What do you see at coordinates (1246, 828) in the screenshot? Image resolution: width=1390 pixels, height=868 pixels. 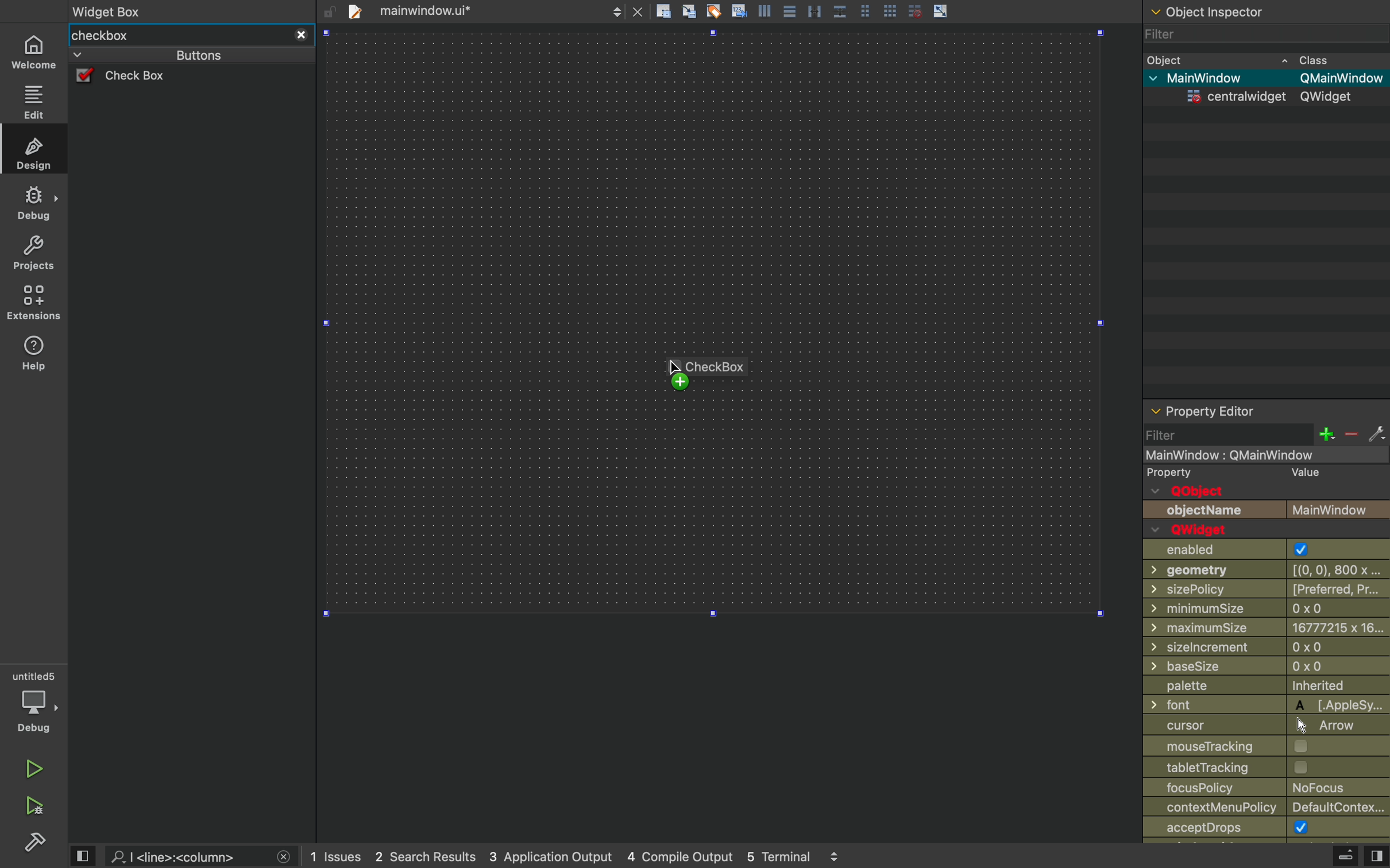 I see `accept drops` at bounding box center [1246, 828].